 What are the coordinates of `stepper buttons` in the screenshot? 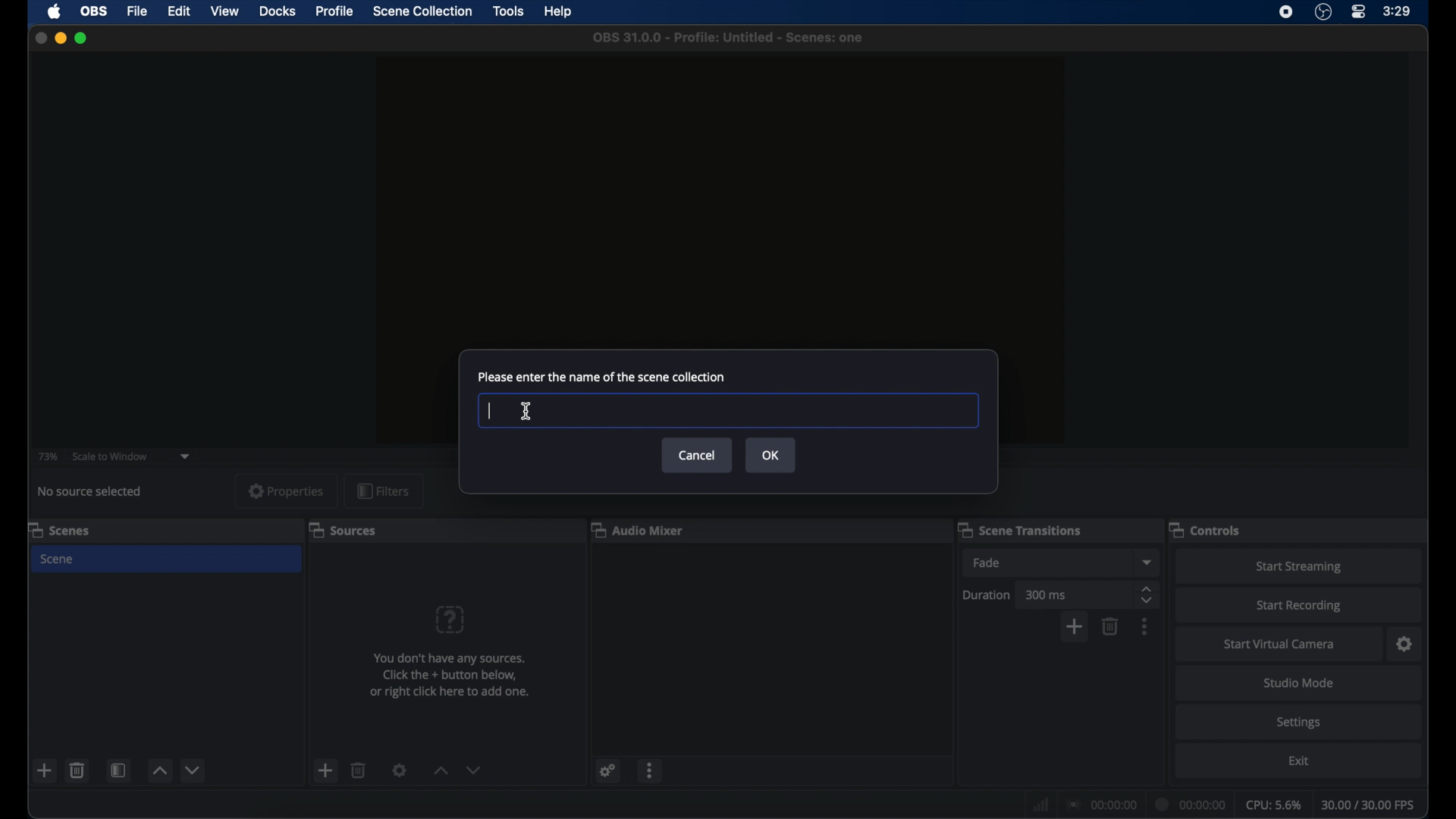 It's located at (1147, 595).